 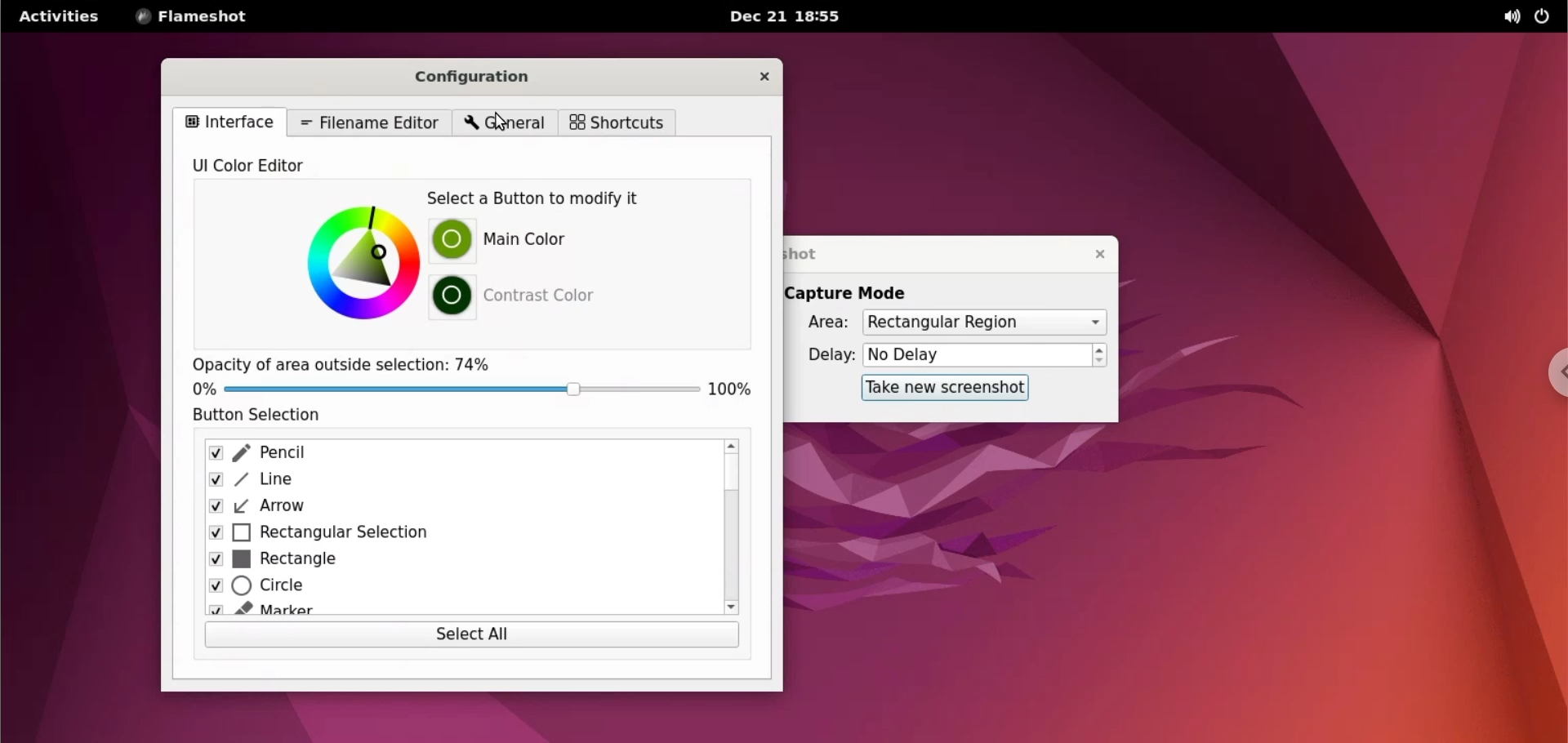 What do you see at coordinates (461, 389) in the screenshot?
I see `opacity slider` at bounding box center [461, 389].